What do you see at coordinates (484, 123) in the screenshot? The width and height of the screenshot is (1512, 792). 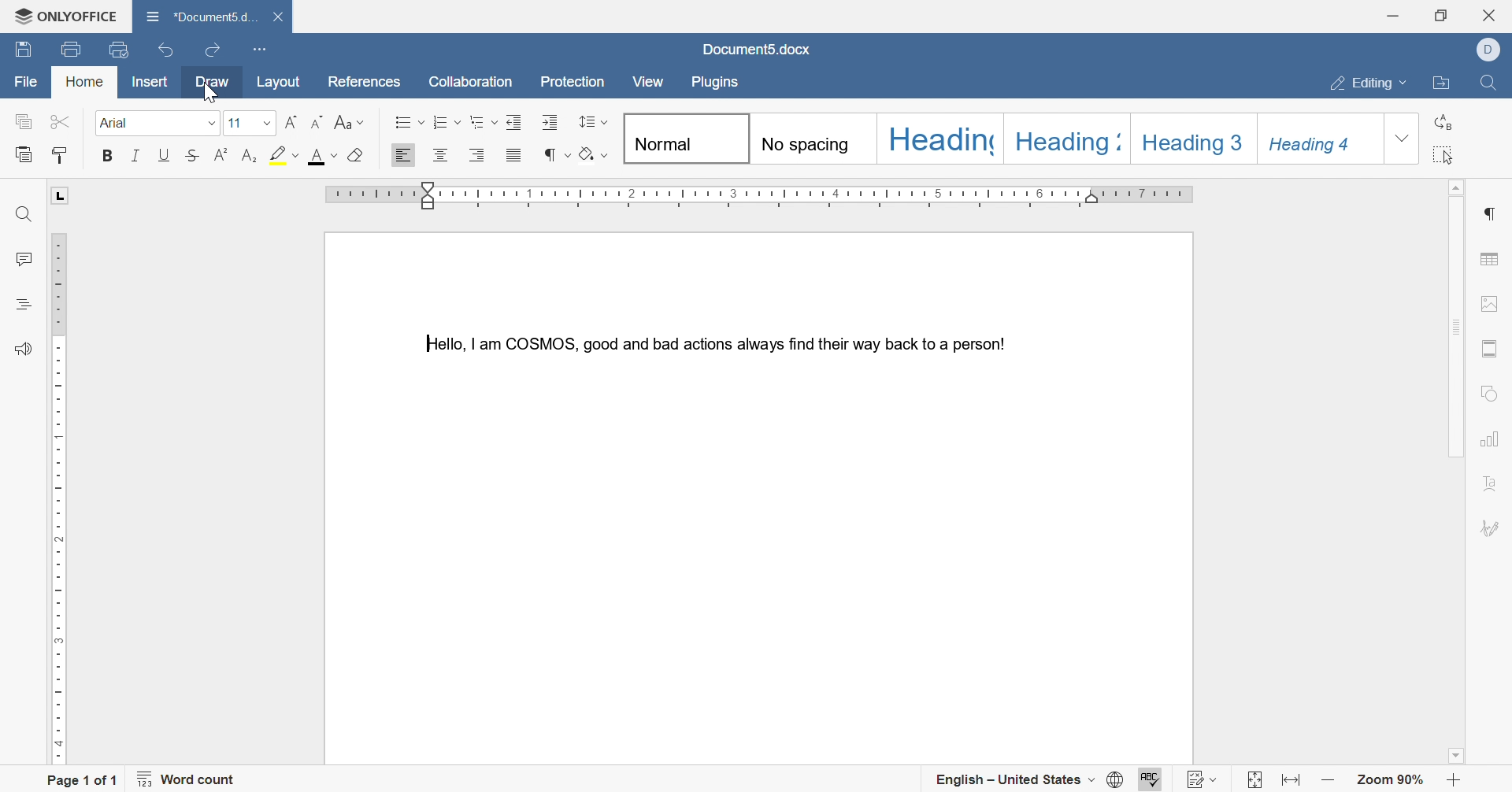 I see `multilevel list` at bounding box center [484, 123].